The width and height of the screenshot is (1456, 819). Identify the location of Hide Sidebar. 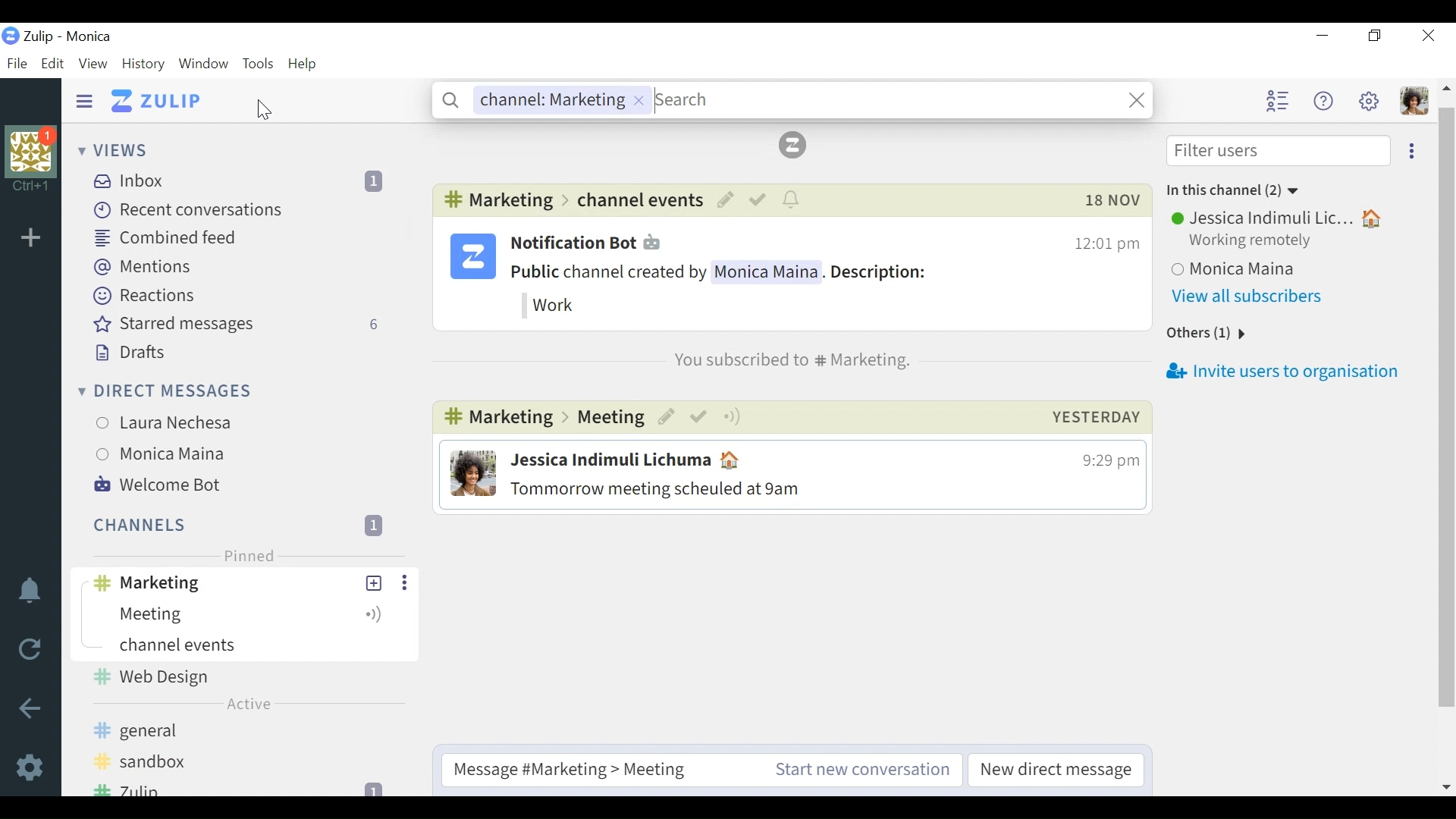
(83, 101).